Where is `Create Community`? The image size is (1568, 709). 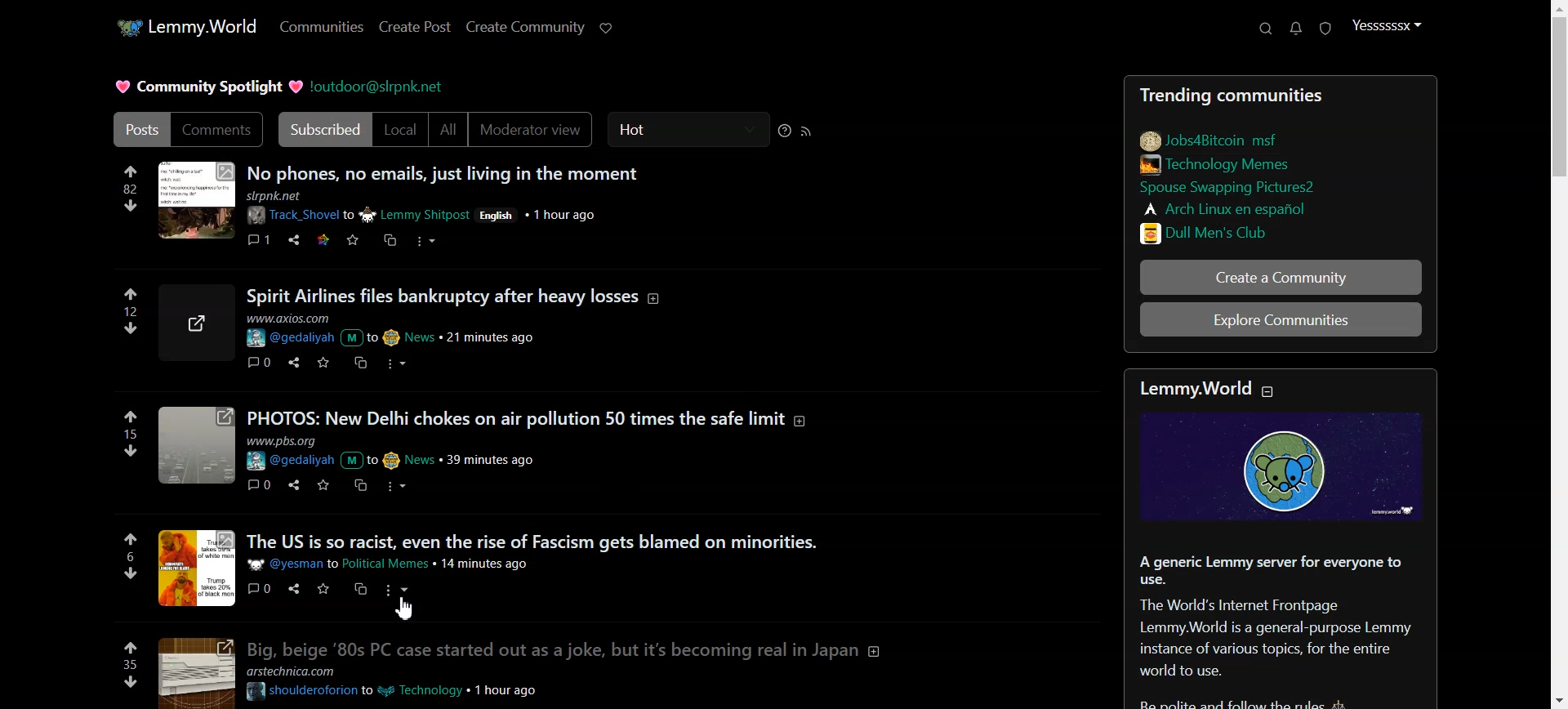 Create Community is located at coordinates (526, 27).